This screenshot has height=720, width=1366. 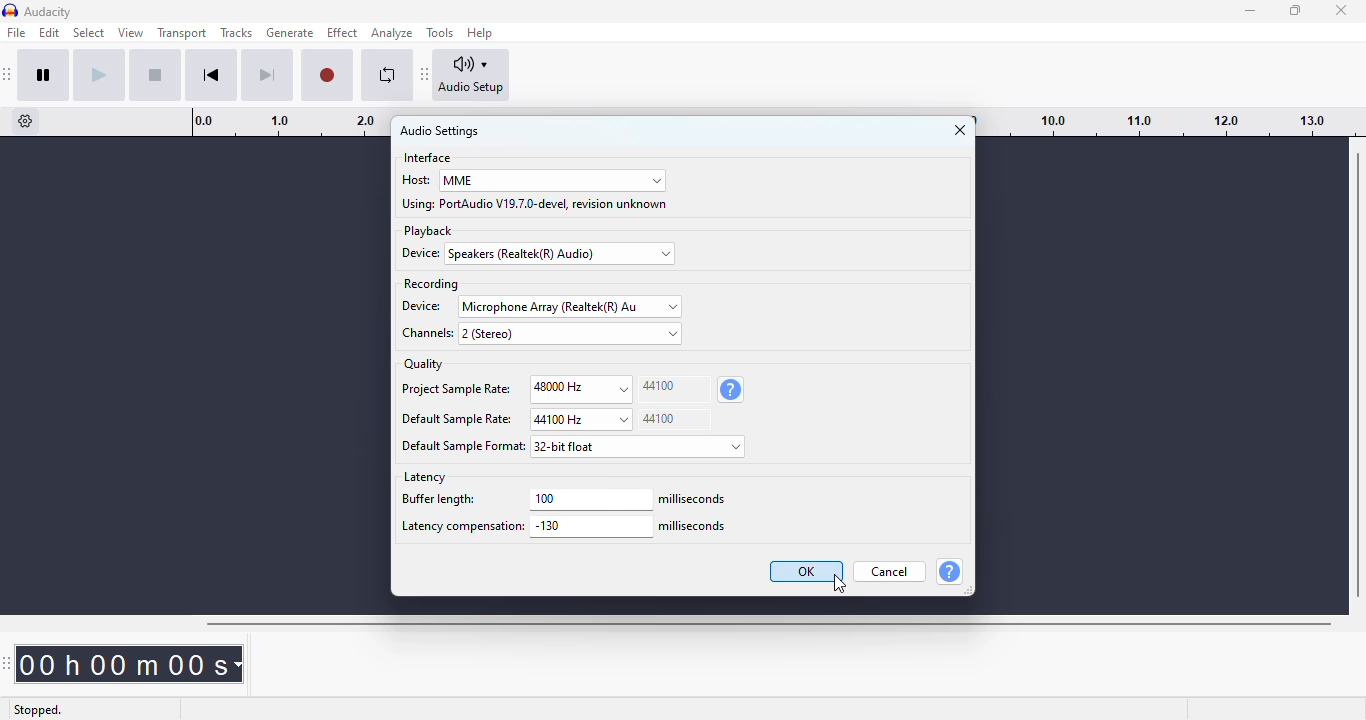 What do you see at coordinates (472, 75) in the screenshot?
I see `audio setup` at bounding box center [472, 75].